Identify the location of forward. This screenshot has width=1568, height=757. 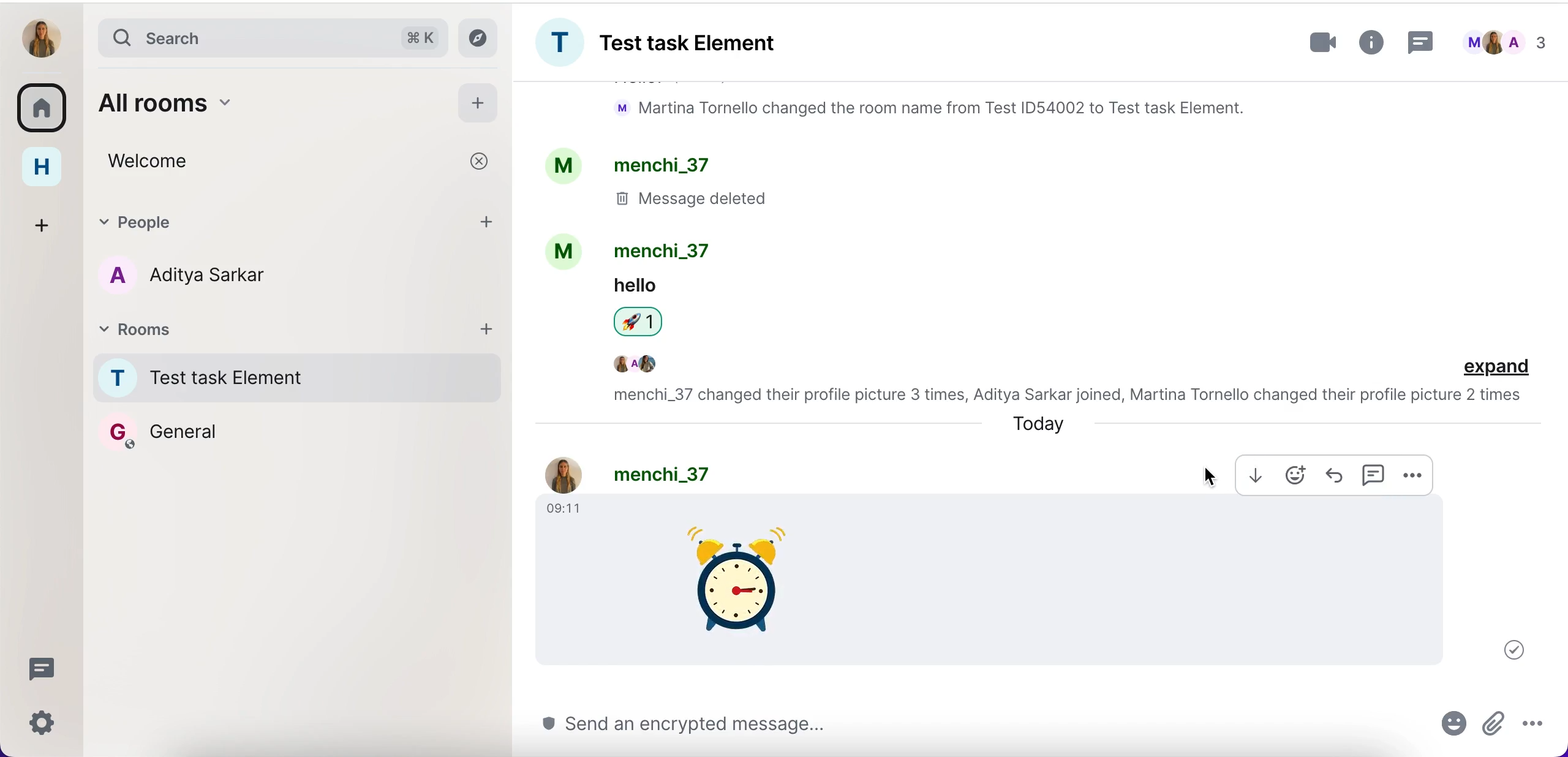
(1333, 475).